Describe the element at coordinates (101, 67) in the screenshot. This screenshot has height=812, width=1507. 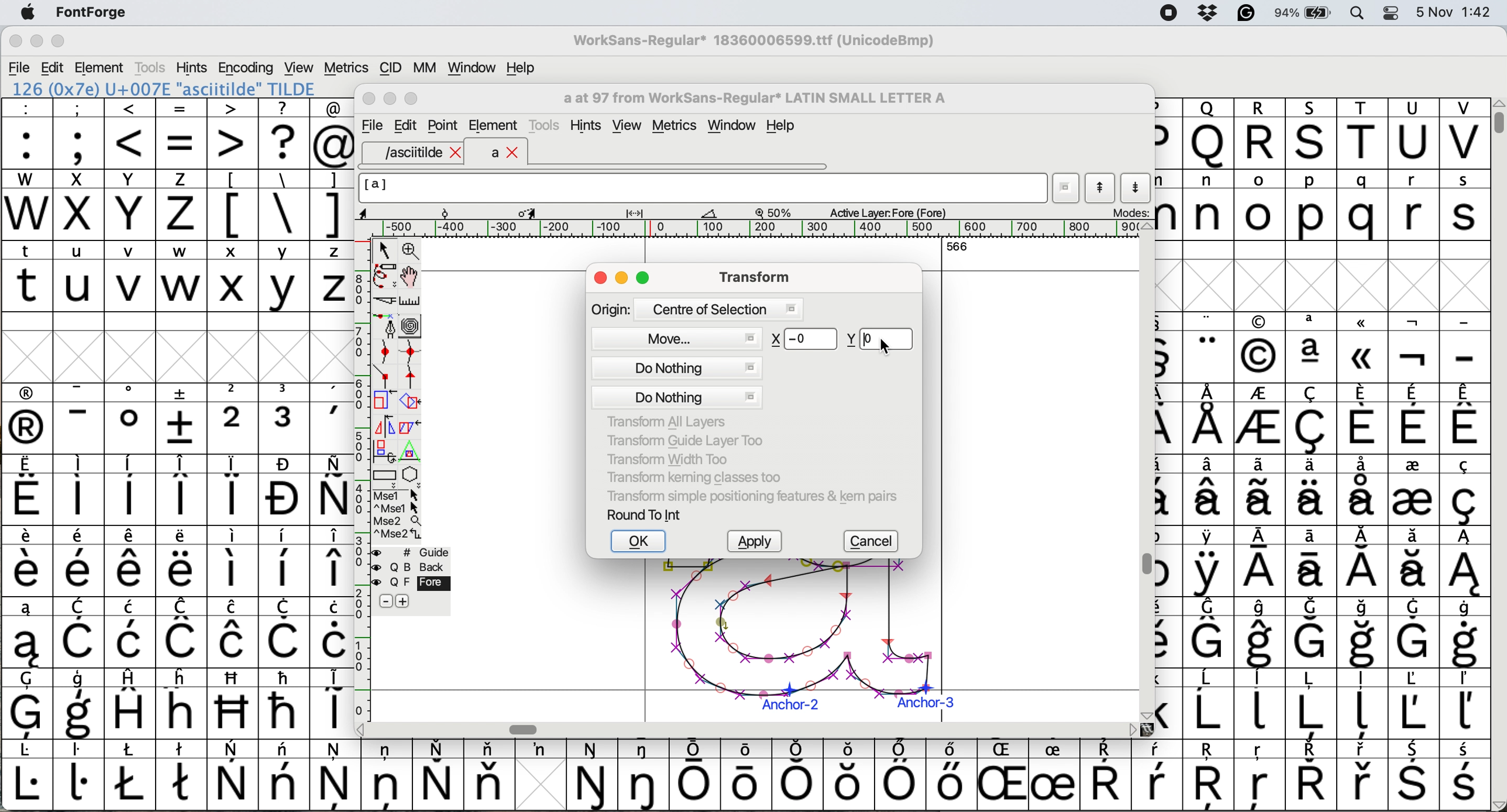
I see `element` at that location.